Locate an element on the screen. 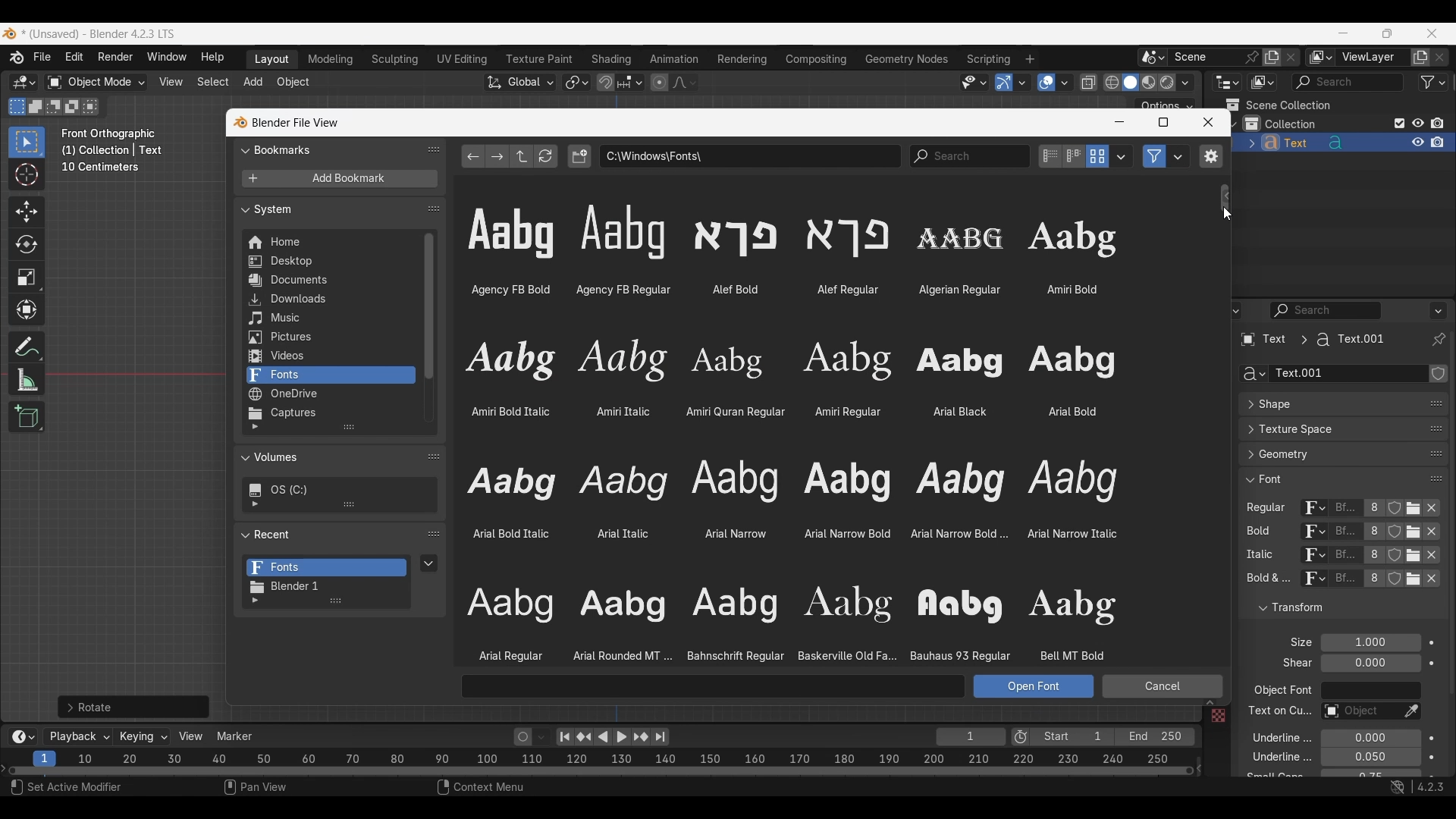 This screenshot has width=1456, height=819. Pictures folder is located at coordinates (329, 337).